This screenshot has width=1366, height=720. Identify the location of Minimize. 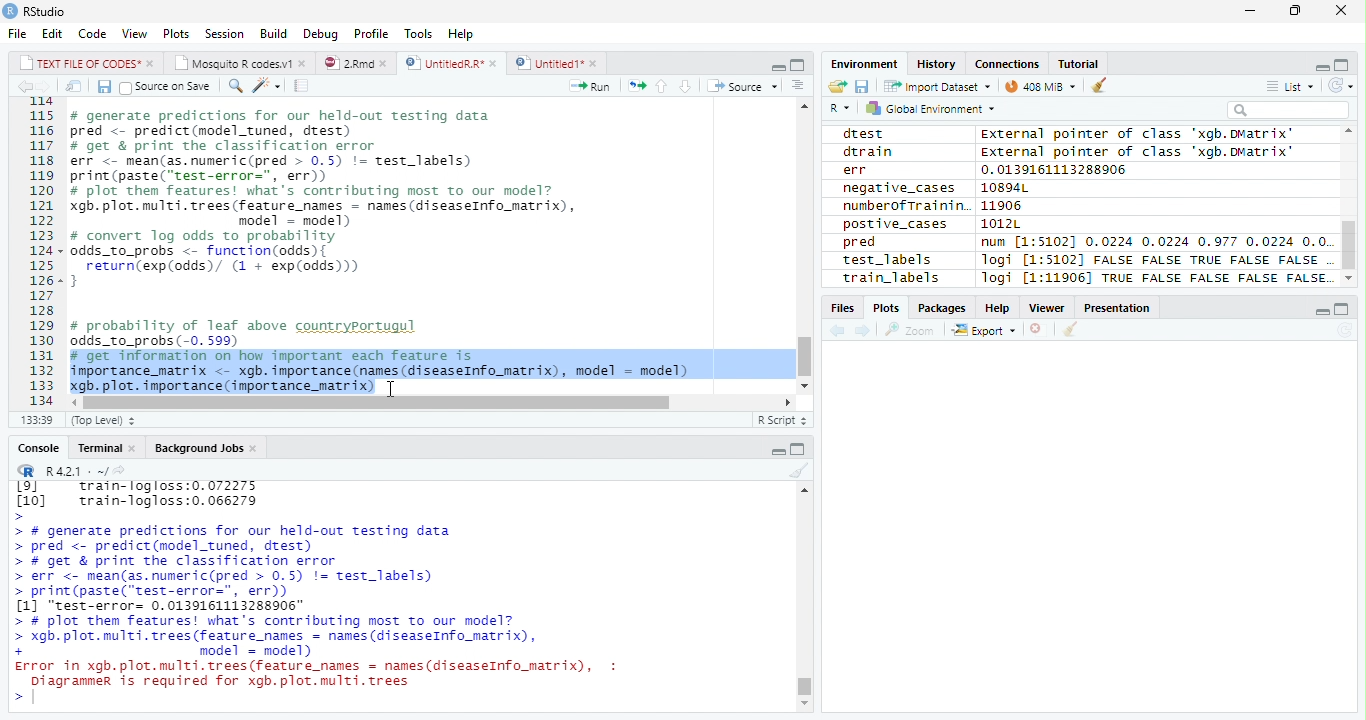
(1249, 11).